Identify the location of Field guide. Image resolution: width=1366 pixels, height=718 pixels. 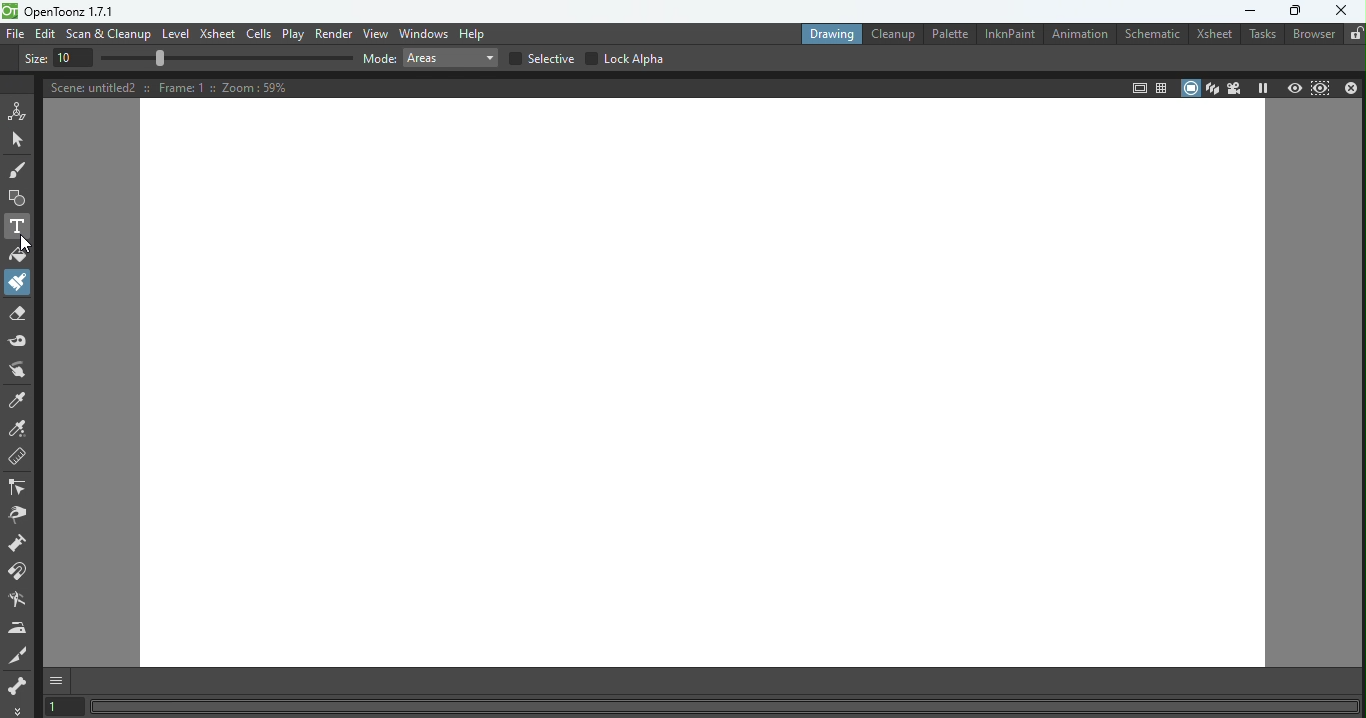
(1161, 87).